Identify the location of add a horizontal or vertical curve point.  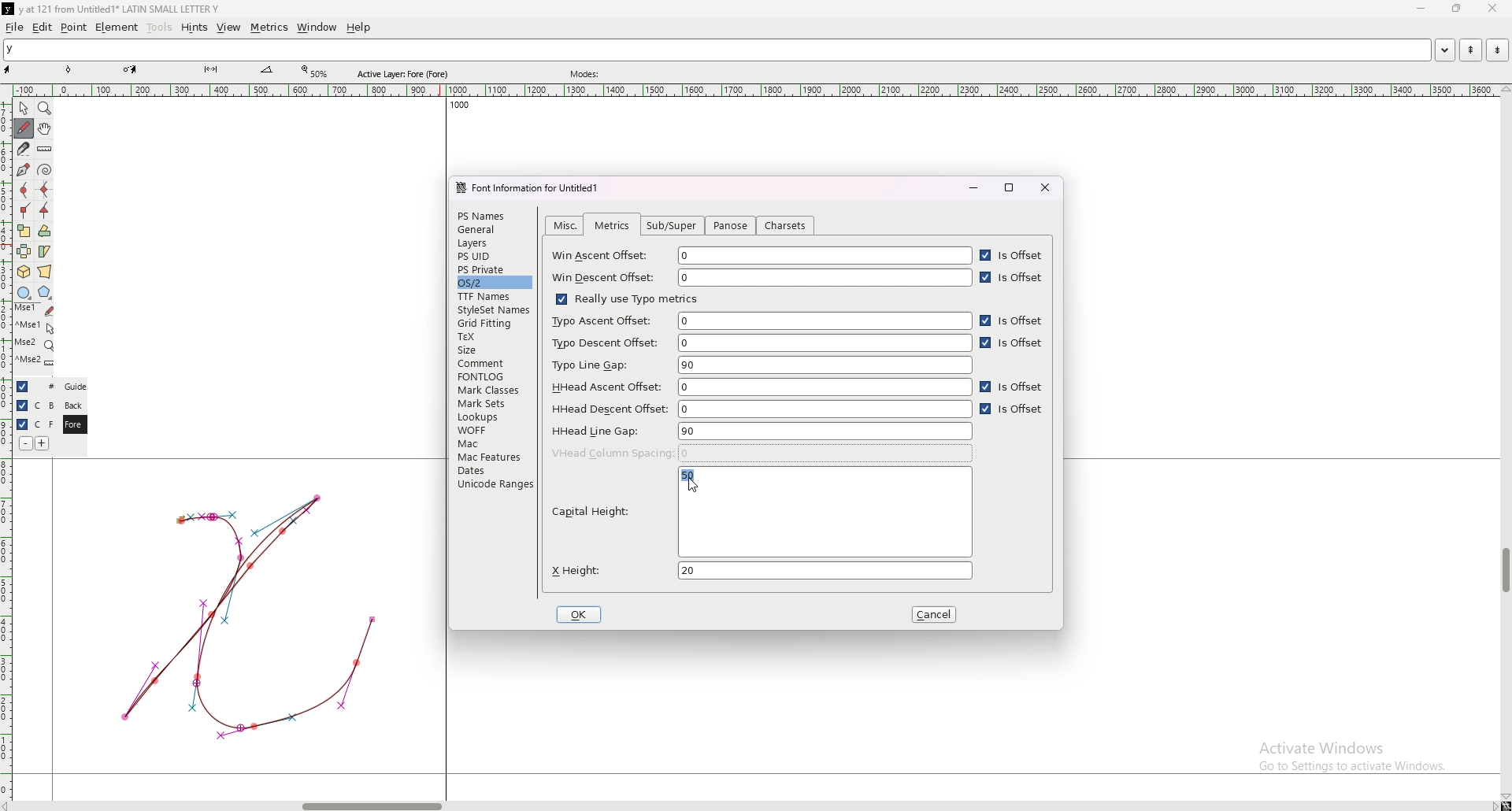
(45, 190).